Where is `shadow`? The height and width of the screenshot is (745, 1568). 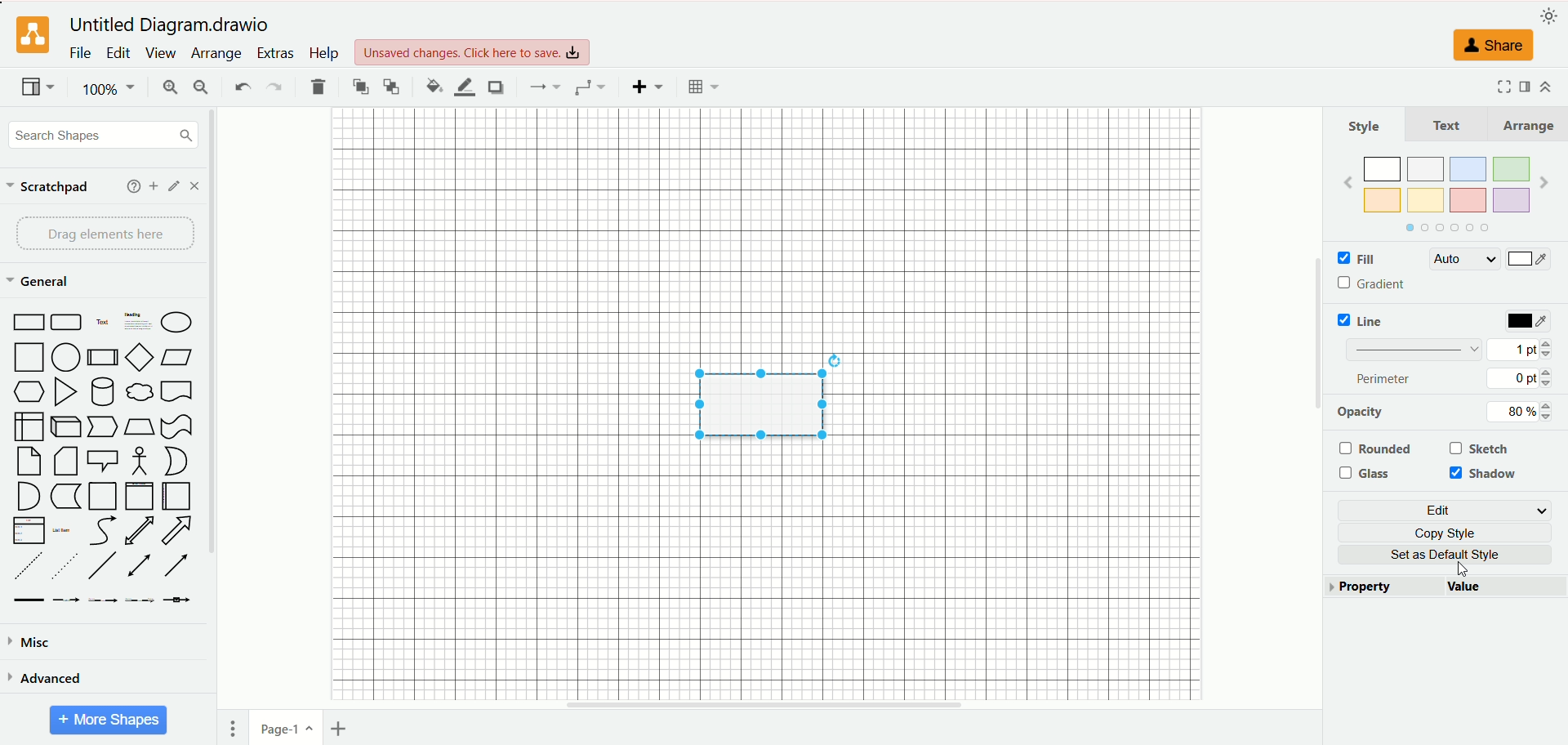 shadow is located at coordinates (1486, 475).